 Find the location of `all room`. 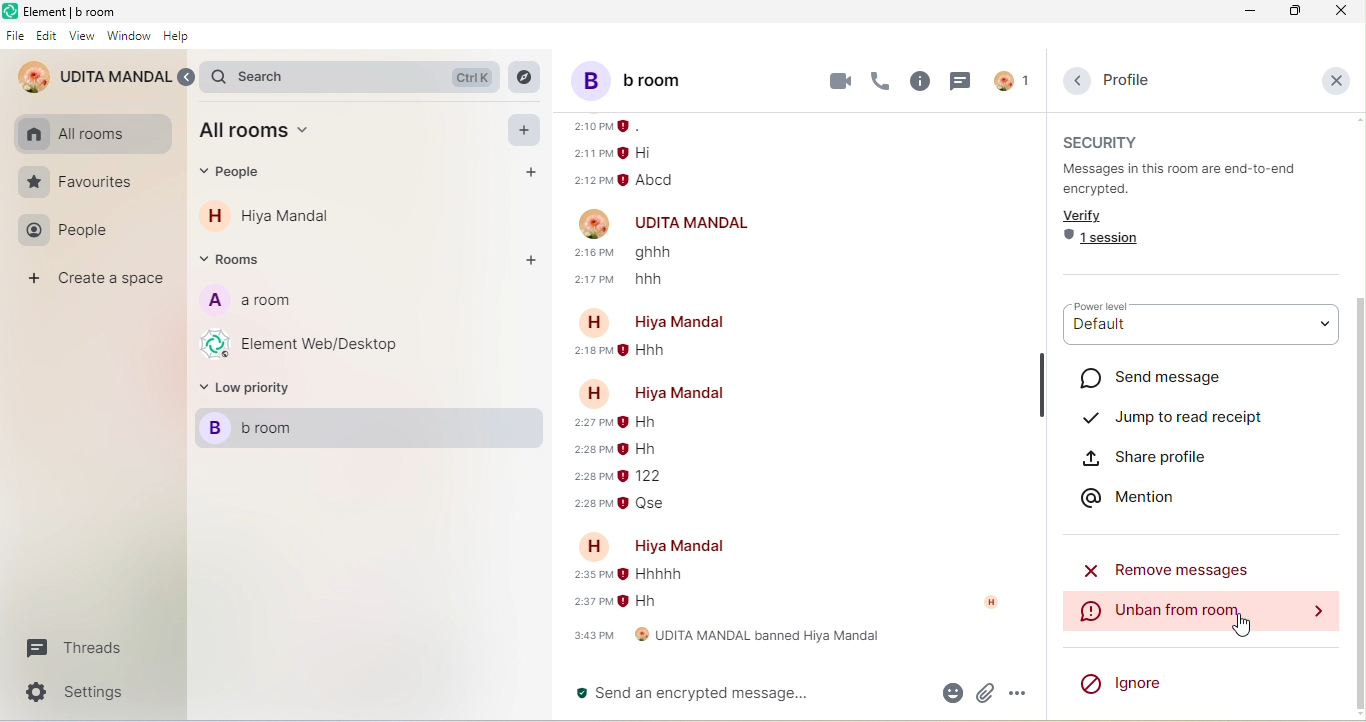

all room is located at coordinates (263, 134).